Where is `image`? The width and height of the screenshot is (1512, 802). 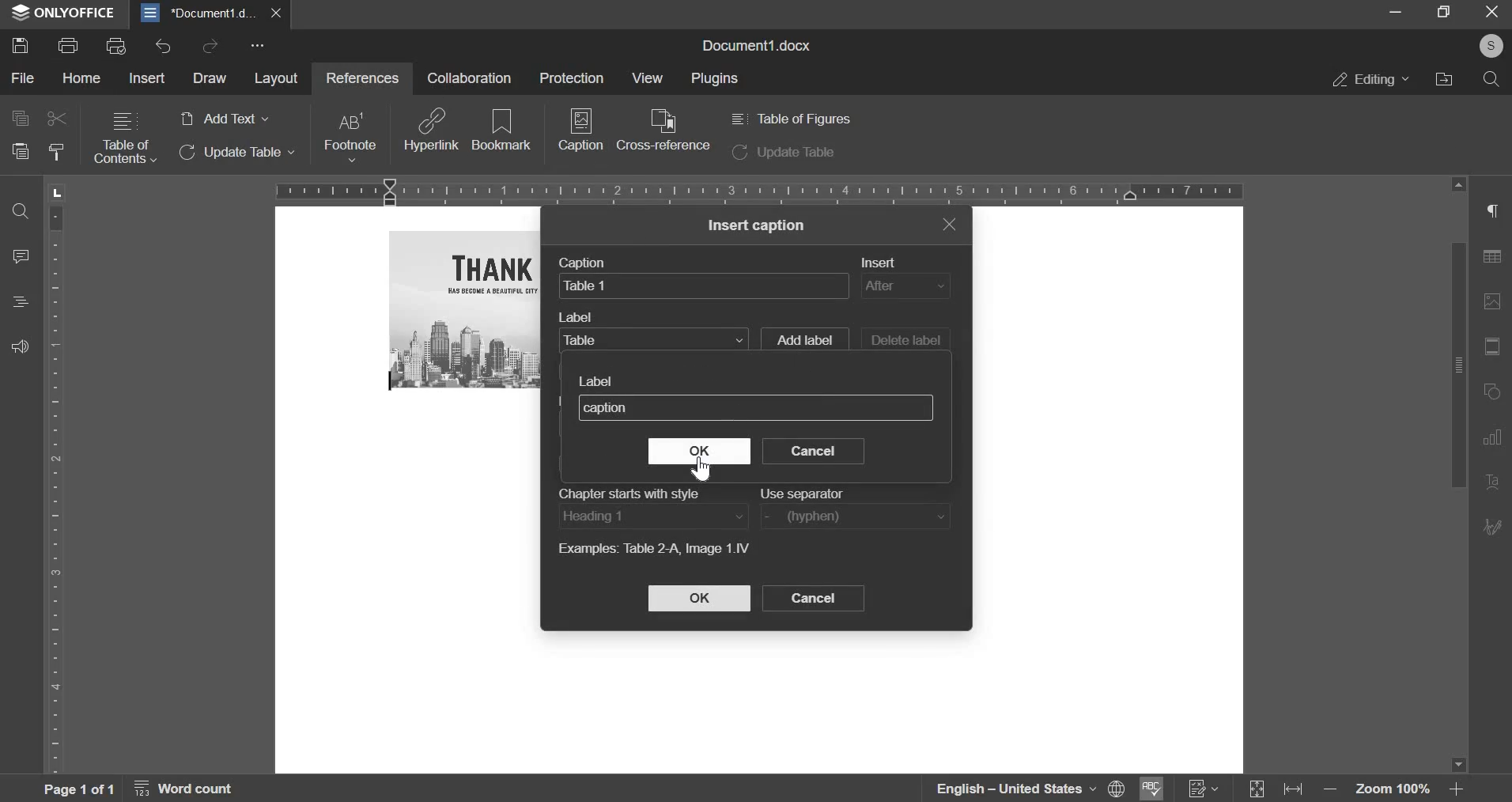 image is located at coordinates (1495, 301).